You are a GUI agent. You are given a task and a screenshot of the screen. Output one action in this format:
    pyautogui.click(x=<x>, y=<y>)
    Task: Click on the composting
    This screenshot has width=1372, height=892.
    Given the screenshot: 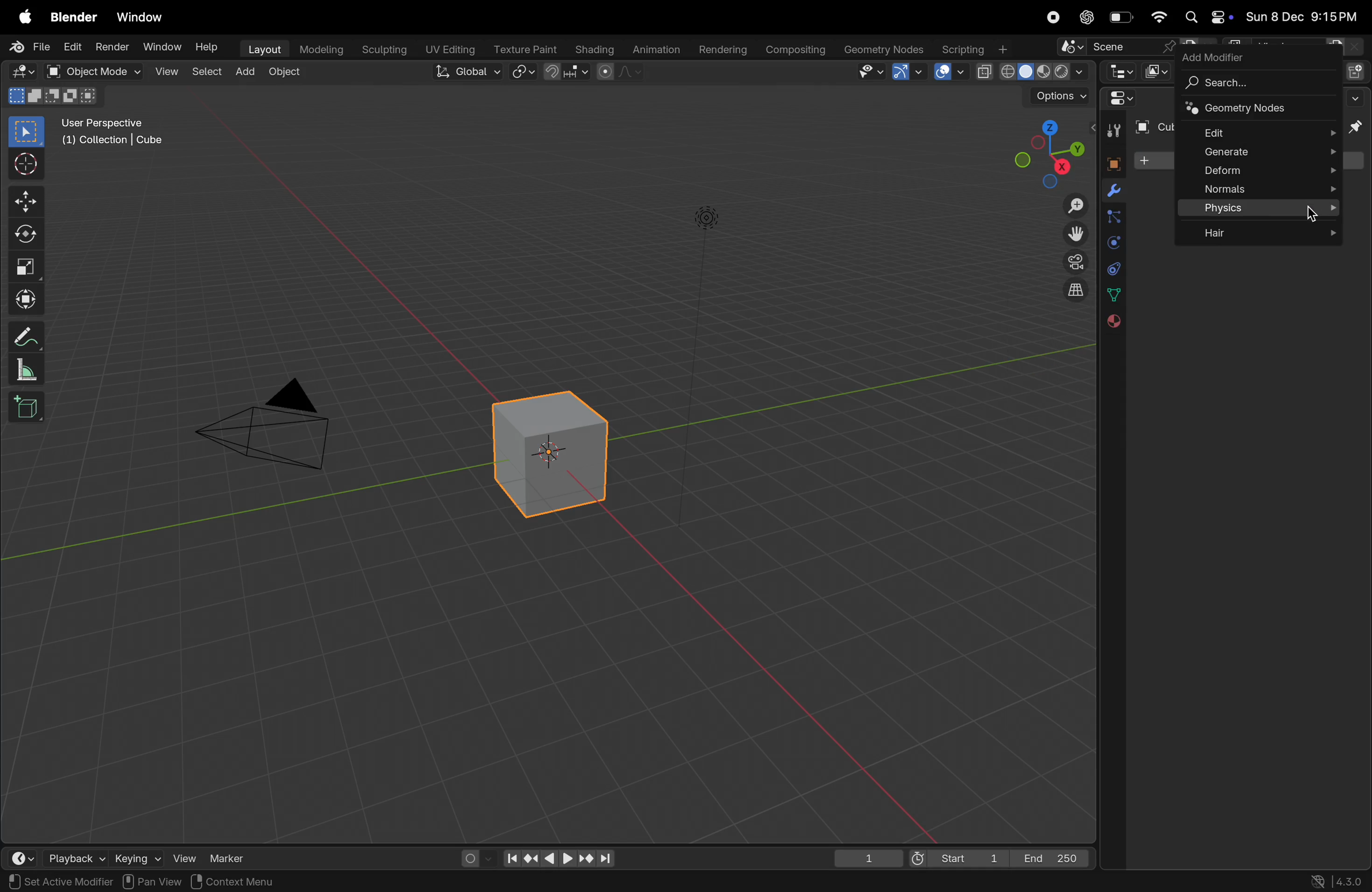 What is the action you would take?
    pyautogui.click(x=797, y=50)
    